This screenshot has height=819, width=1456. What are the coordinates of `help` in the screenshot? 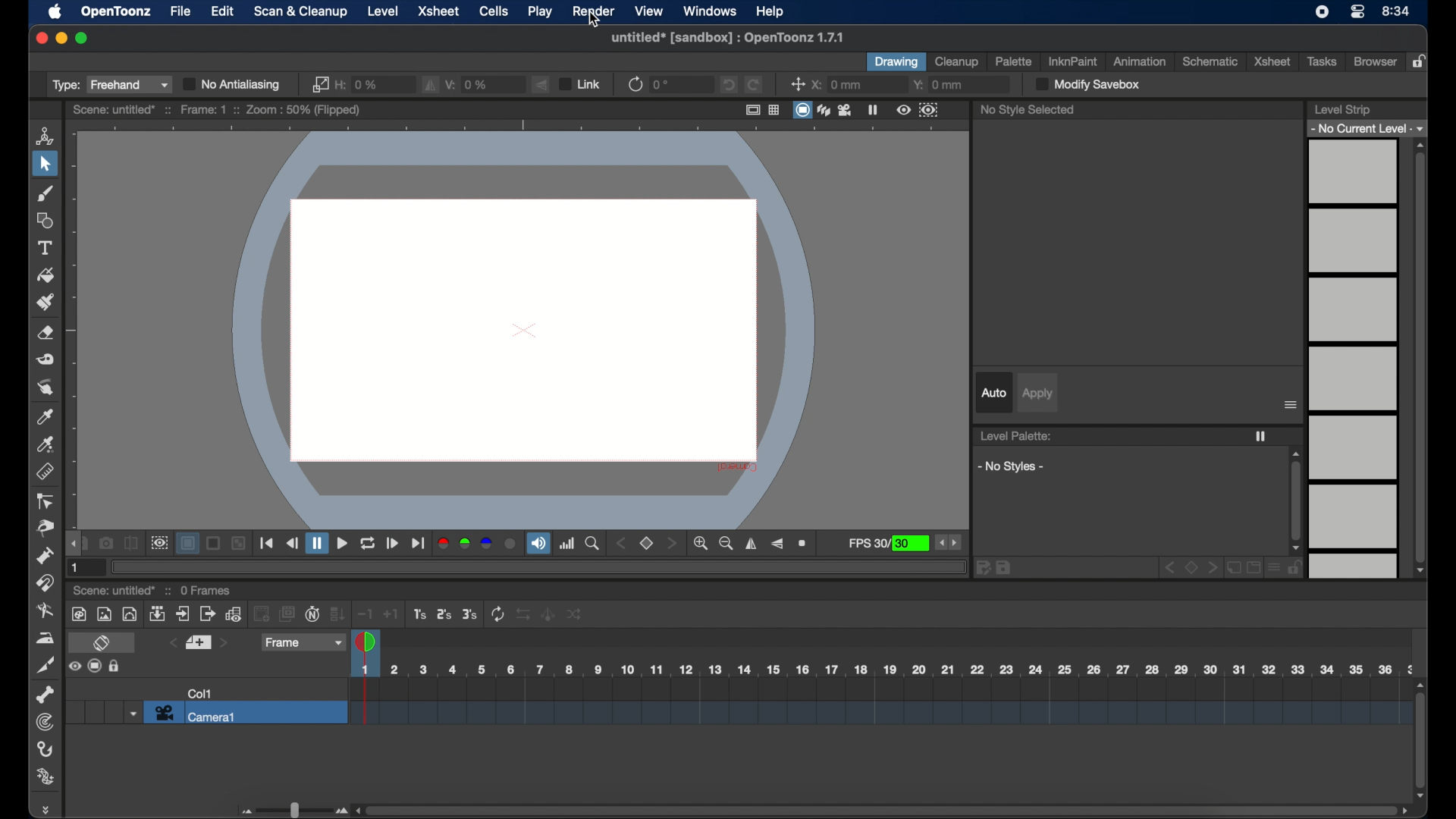 It's located at (770, 12).